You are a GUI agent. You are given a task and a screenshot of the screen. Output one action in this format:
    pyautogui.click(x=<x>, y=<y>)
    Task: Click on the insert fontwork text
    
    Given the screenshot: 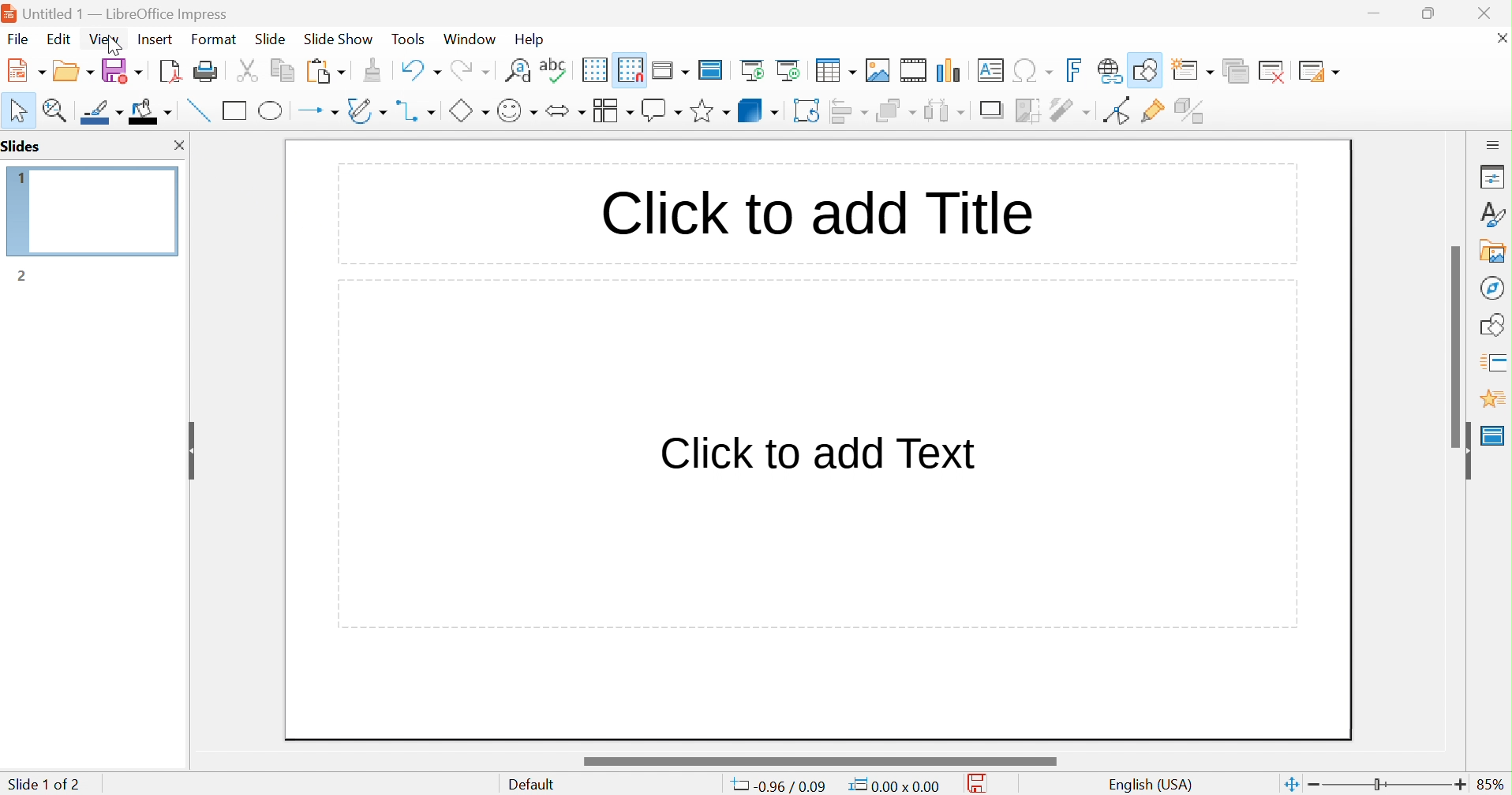 What is the action you would take?
    pyautogui.click(x=1076, y=70)
    